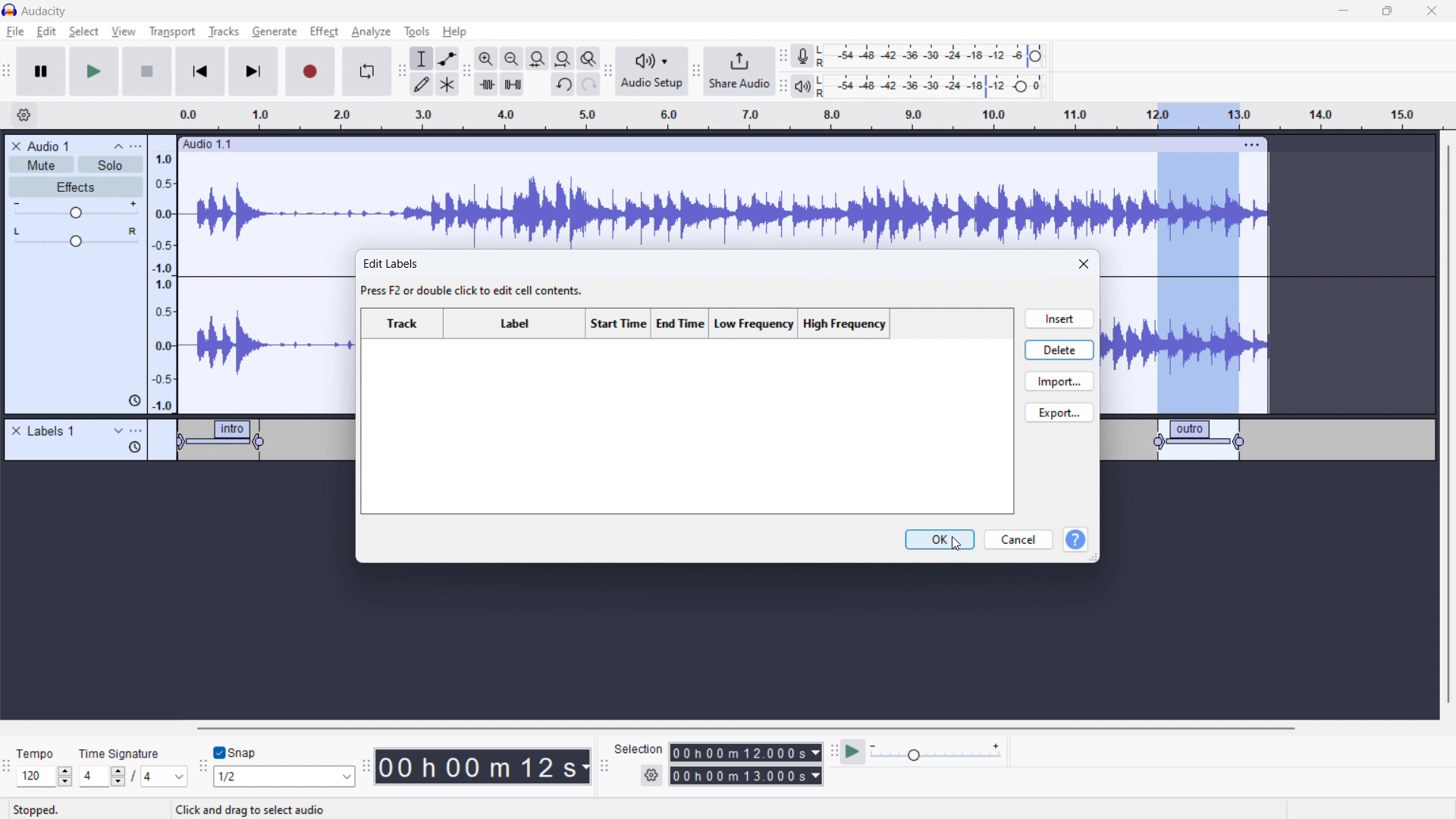 This screenshot has width=1456, height=819. Describe the element at coordinates (76, 237) in the screenshot. I see `pan` at that location.